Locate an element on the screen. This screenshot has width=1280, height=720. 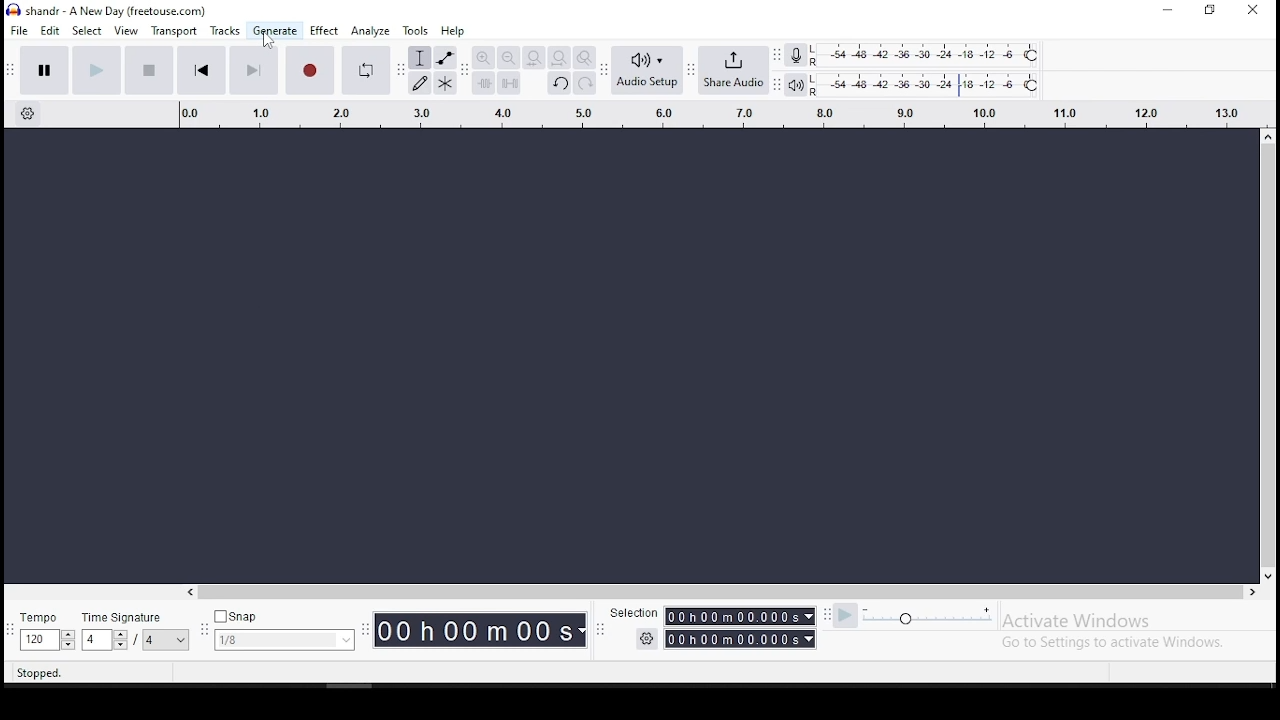
minimize is located at coordinates (1167, 11).